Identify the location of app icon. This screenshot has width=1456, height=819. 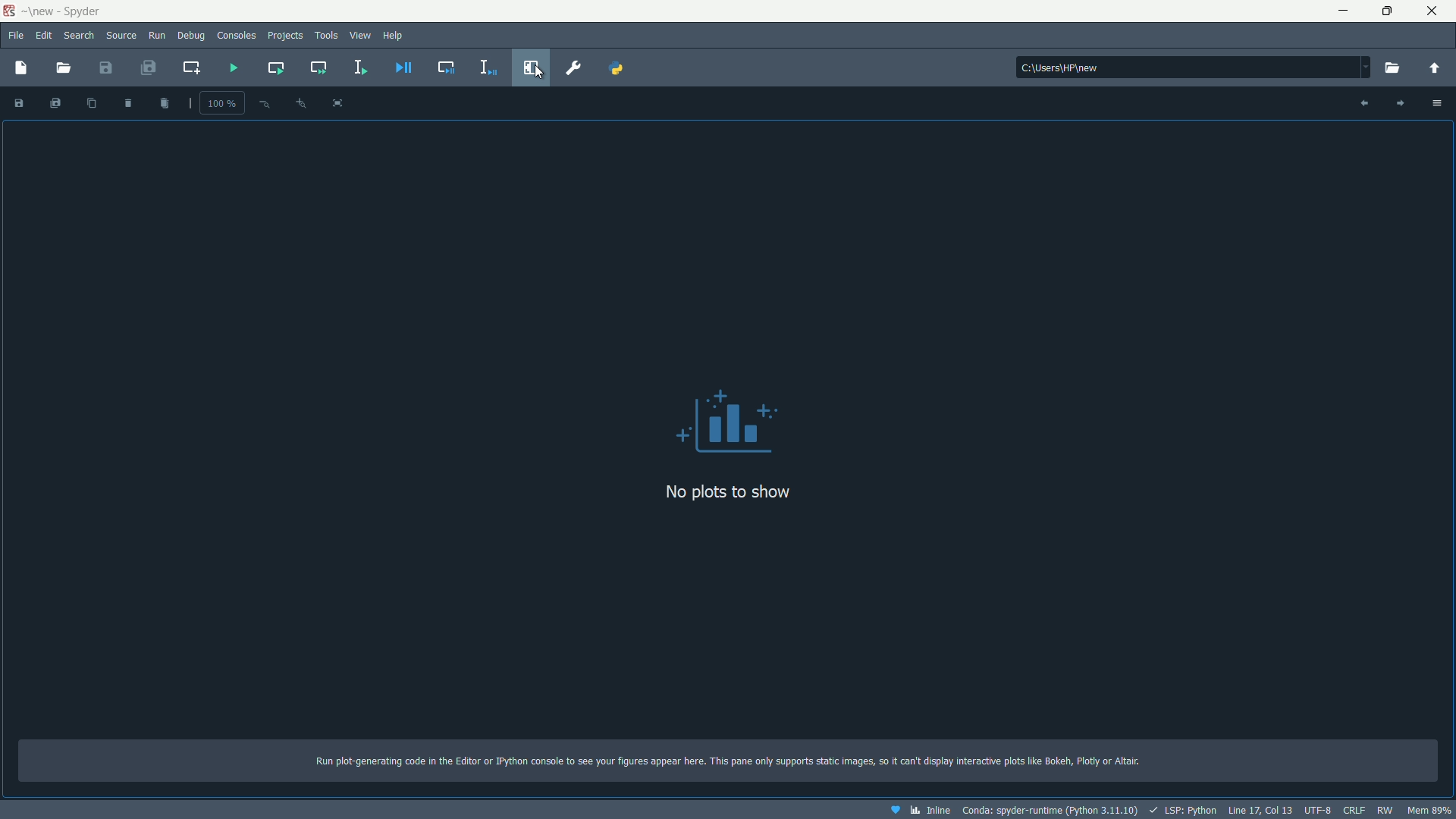
(9, 11).